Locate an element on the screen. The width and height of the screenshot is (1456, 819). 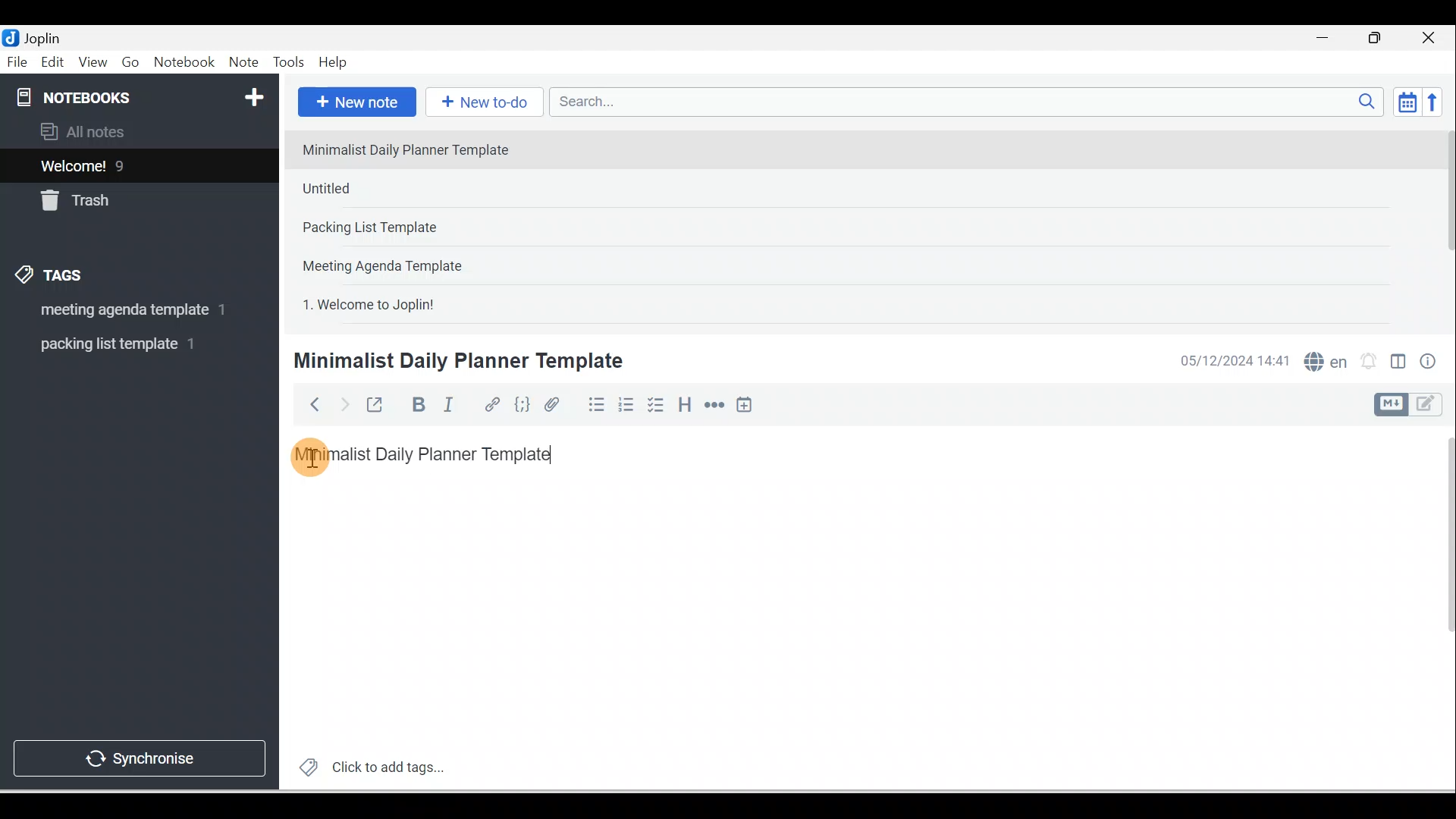
Note 2 is located at coordinates (401, 188).